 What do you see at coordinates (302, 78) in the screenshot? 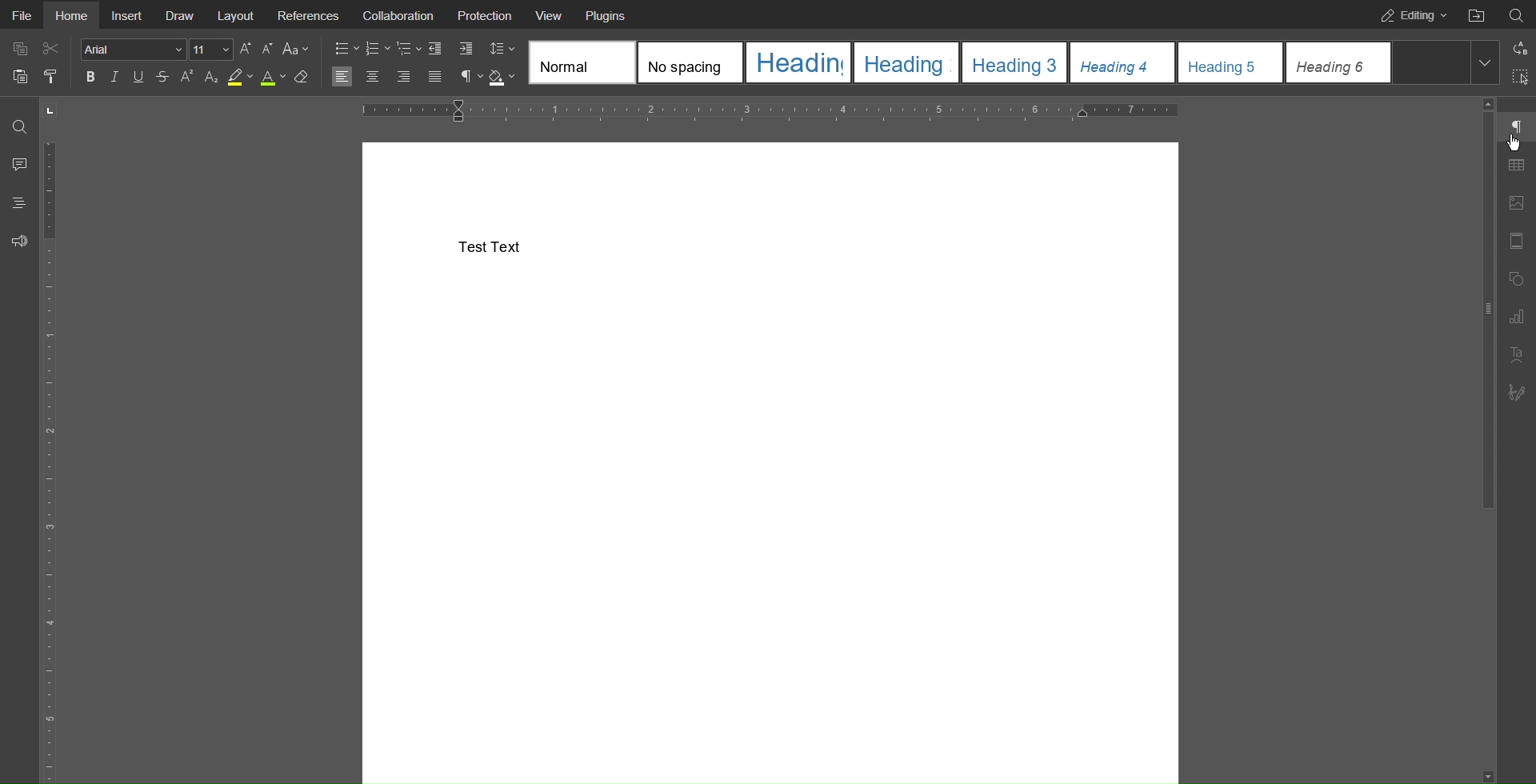
I see `Erase` at bounding box center [302, 78].